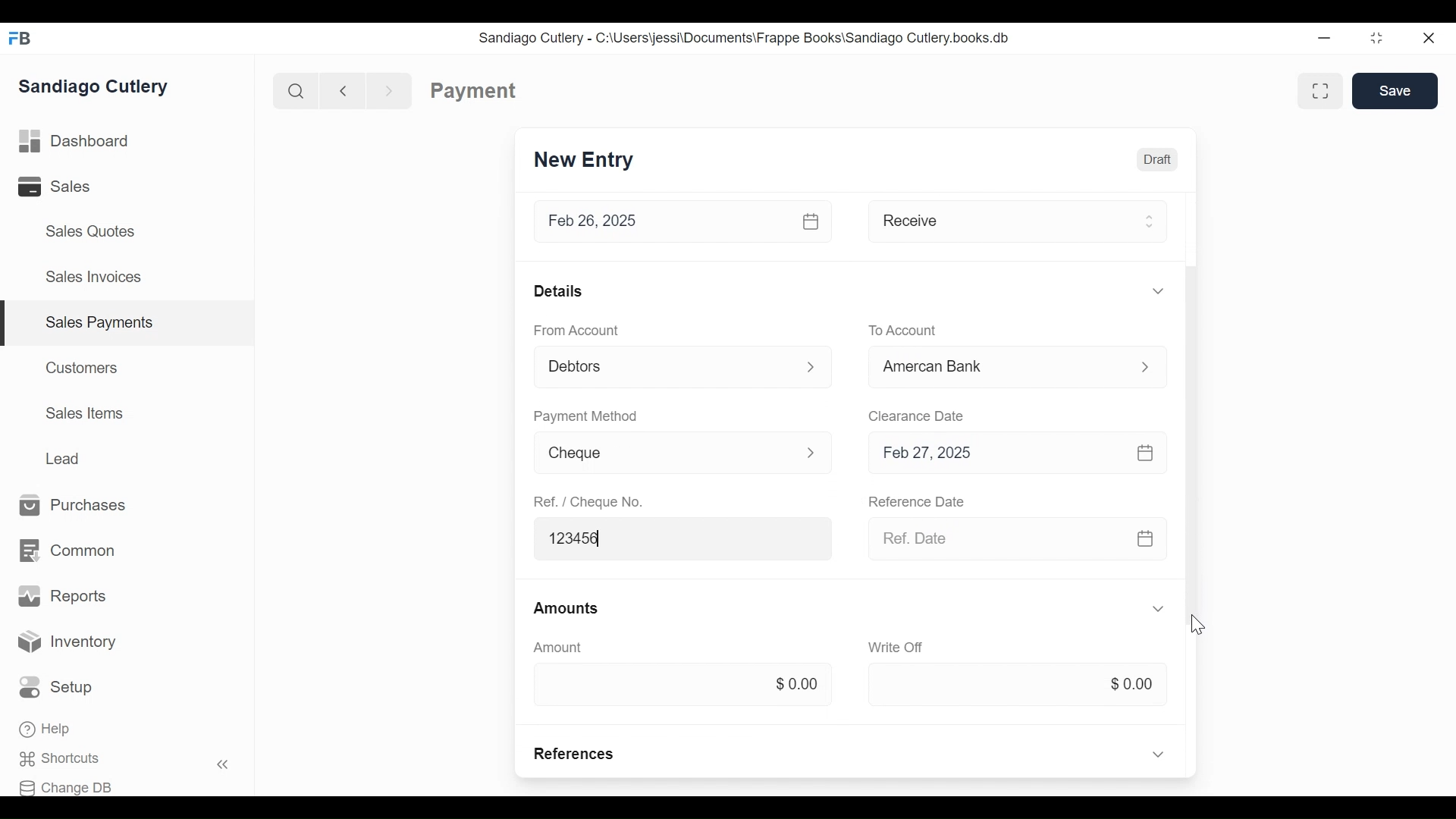  What do you see at coordinates (585, 415) in the screenshot?
I see `Payment Method` at bounding box center [585, 415].